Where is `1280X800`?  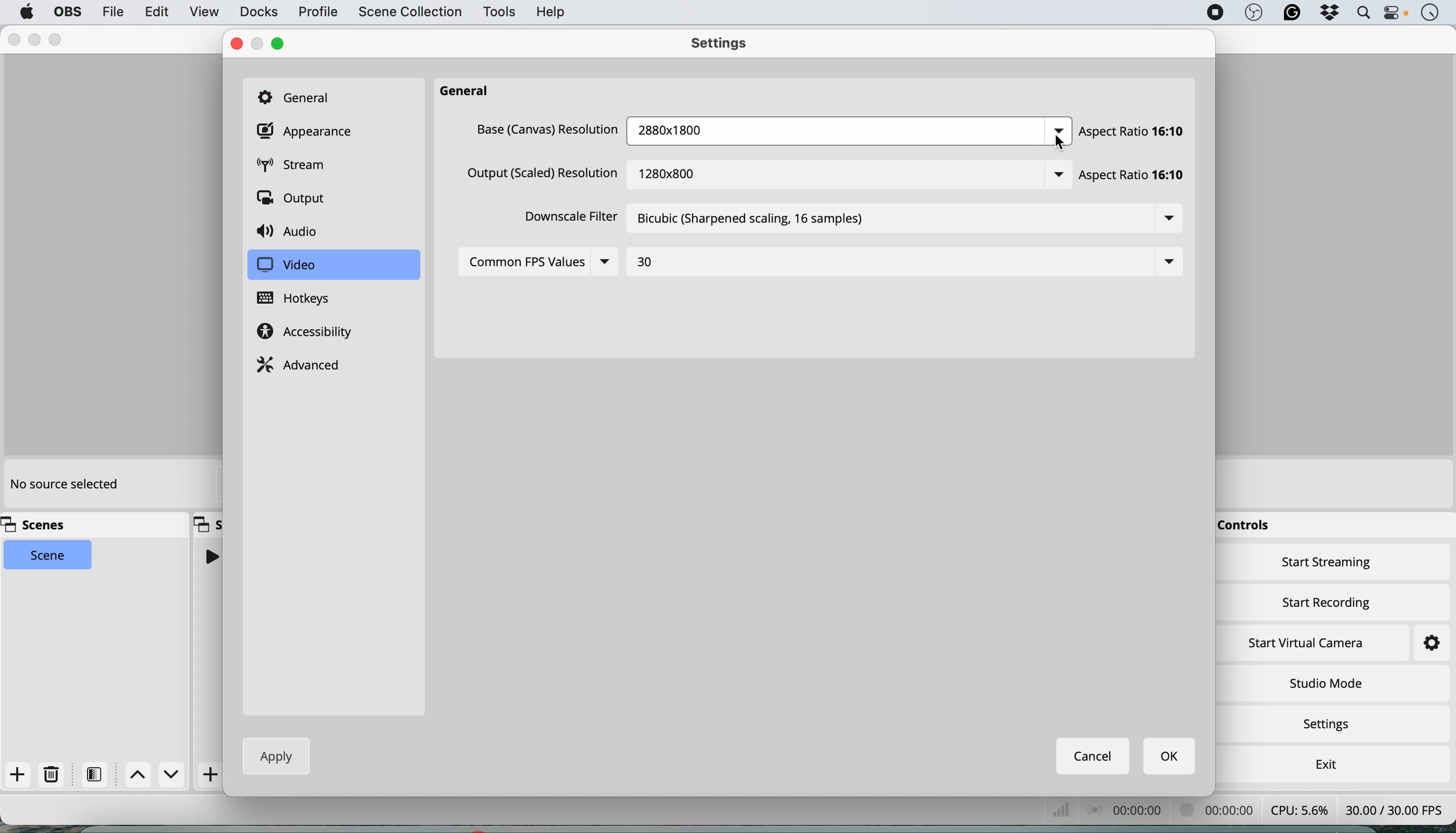 1280X800 is located at coordinates (675, 170).